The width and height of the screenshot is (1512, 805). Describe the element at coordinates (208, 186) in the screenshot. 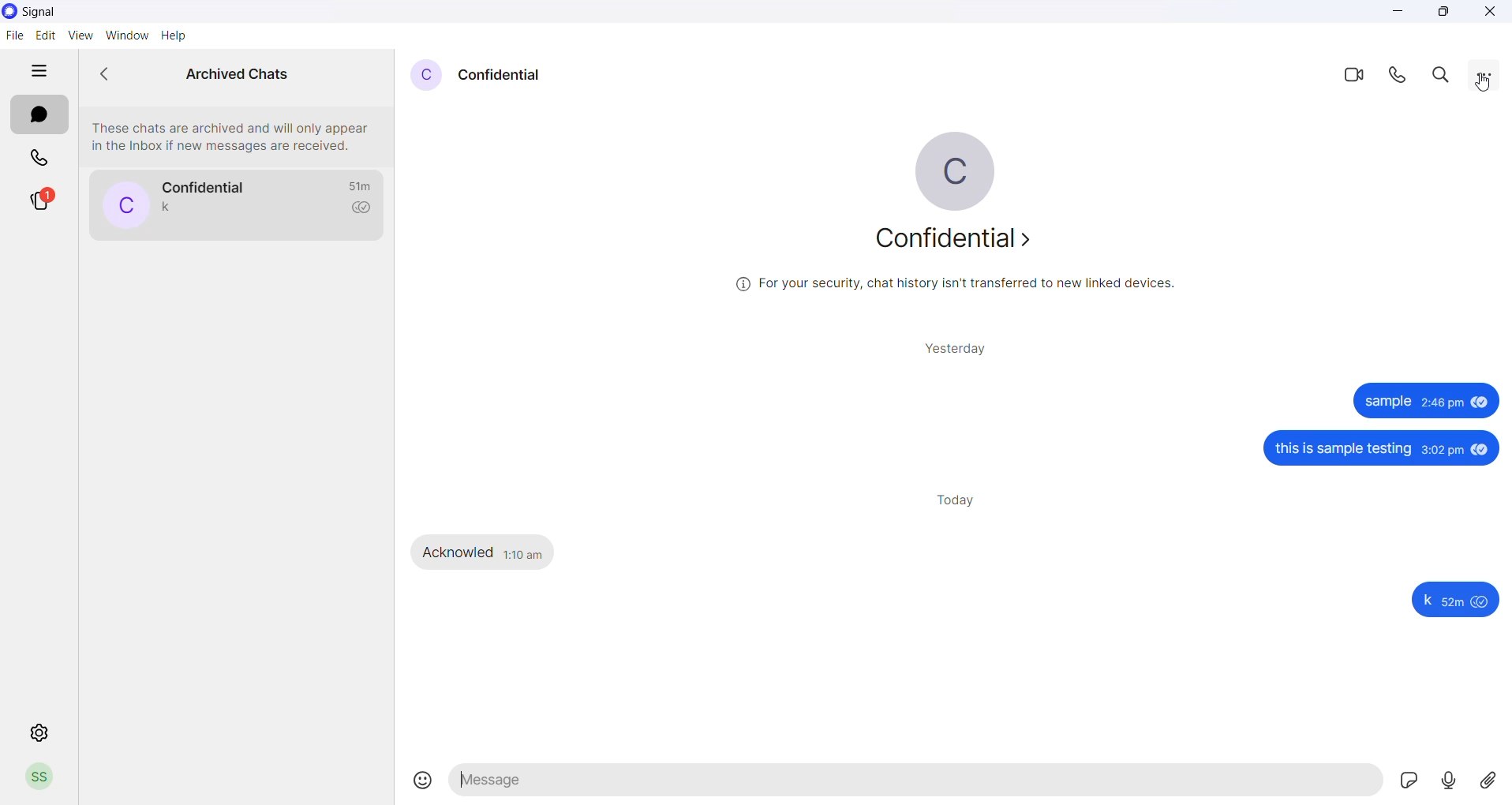

I see `contact name` at that location.